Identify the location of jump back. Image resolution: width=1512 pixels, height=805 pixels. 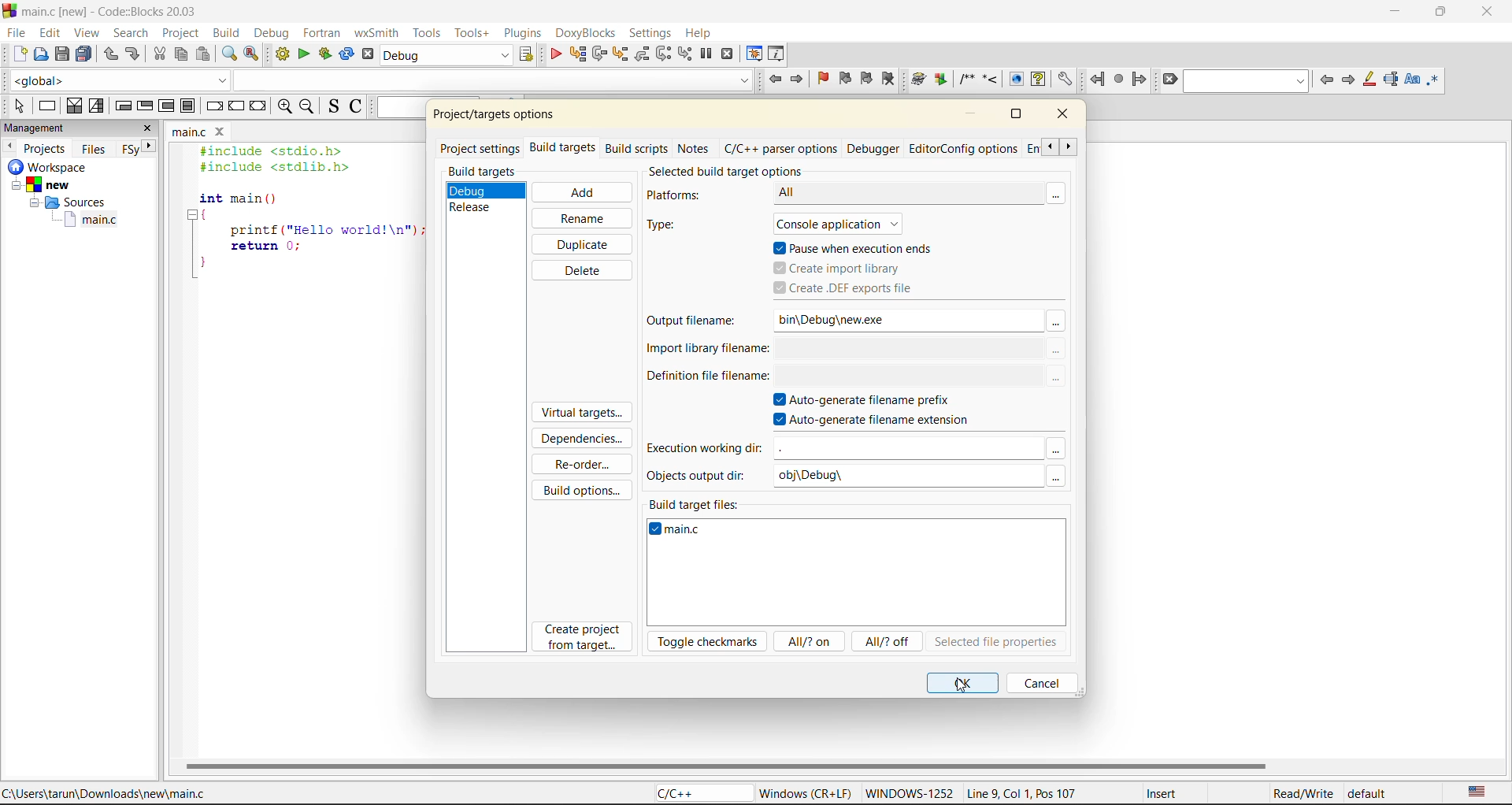
(1096, 80).